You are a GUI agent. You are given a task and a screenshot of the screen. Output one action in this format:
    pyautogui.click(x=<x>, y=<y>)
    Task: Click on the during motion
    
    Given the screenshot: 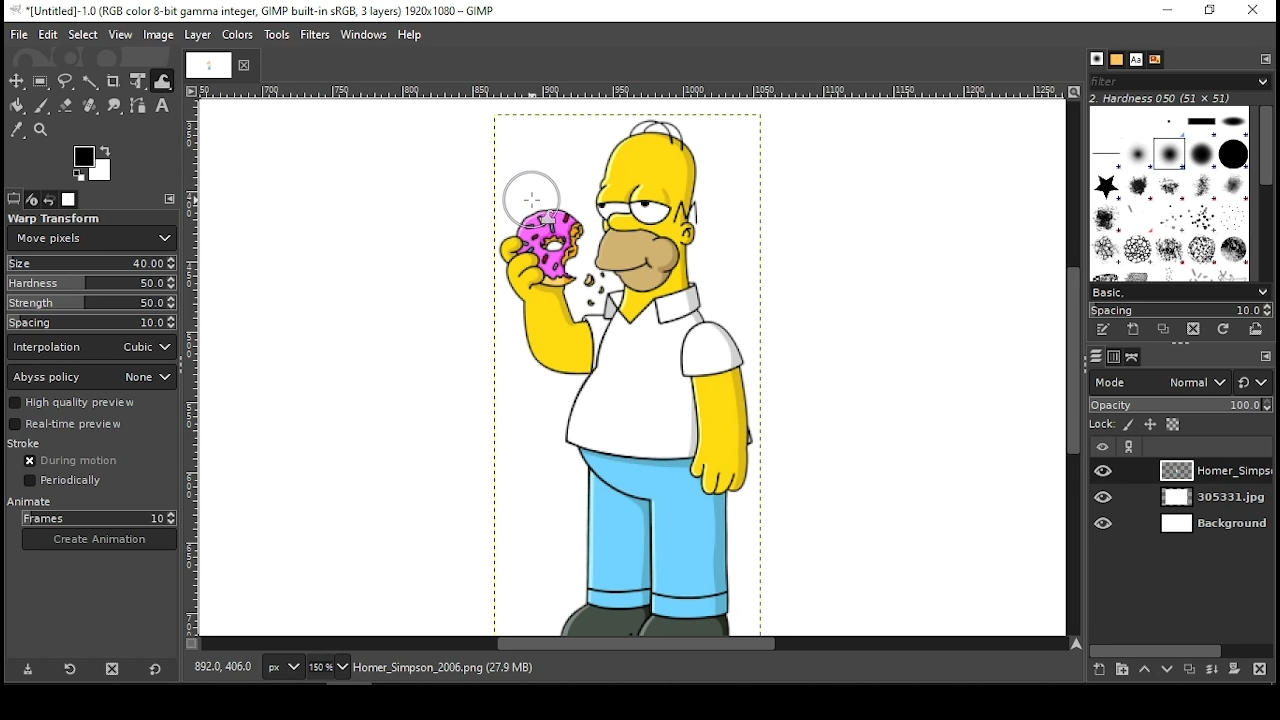 What is the action you would take?
    pyautogui.click(x=76, y=460)
    